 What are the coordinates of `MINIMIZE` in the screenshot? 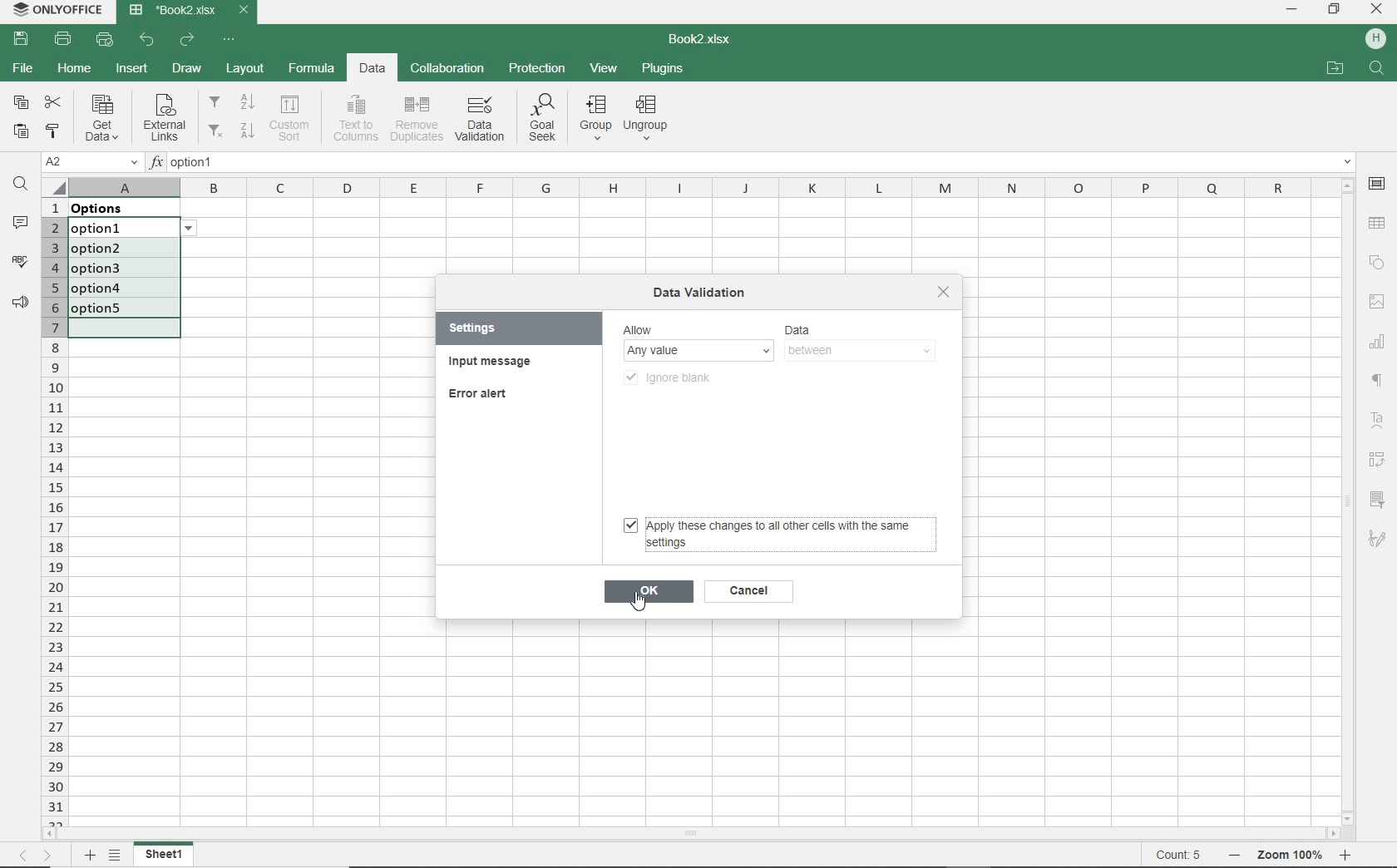 It's located at (1291, 9).